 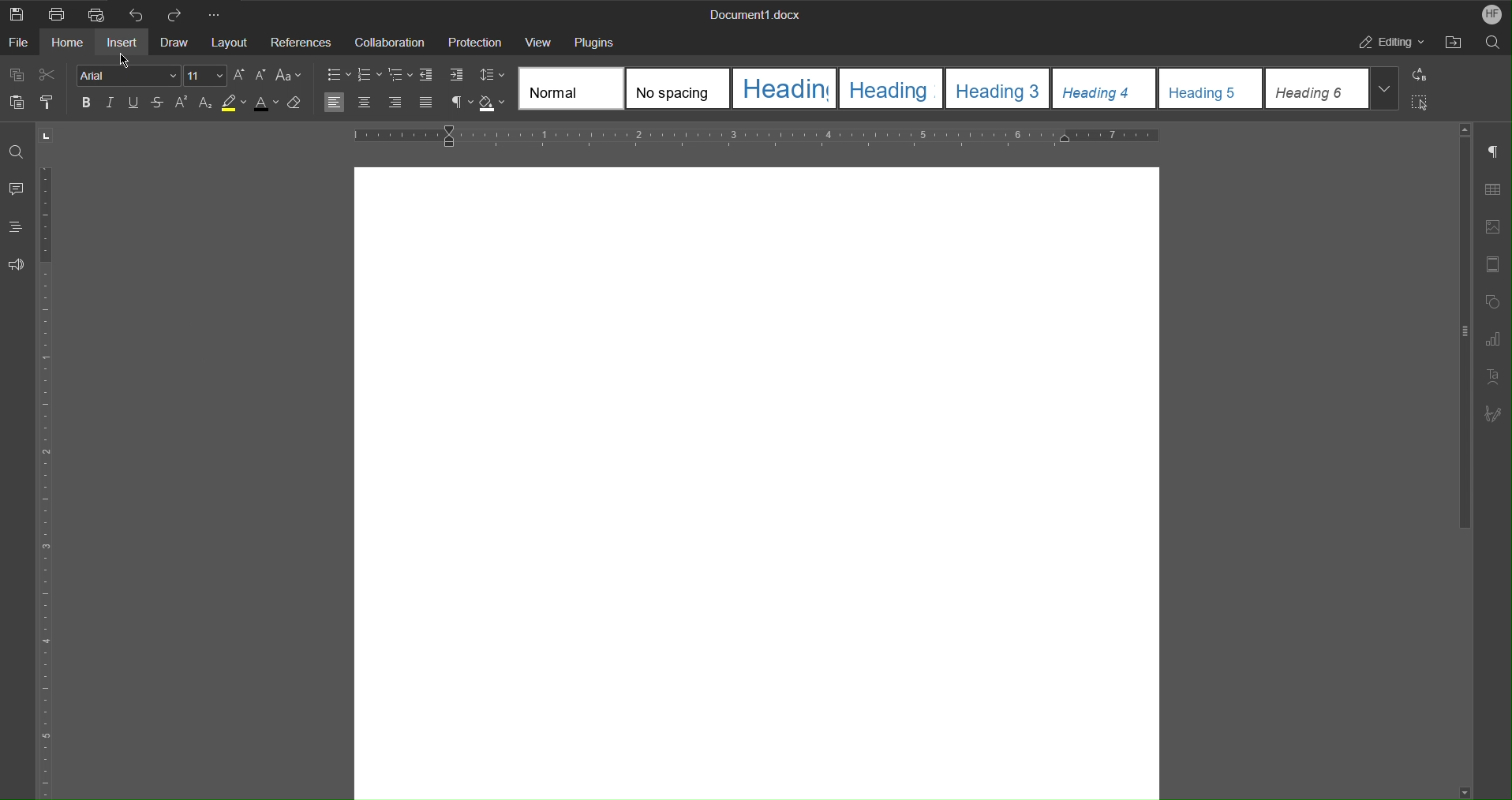 I want to click on Normal, so click(x=573, y=88).